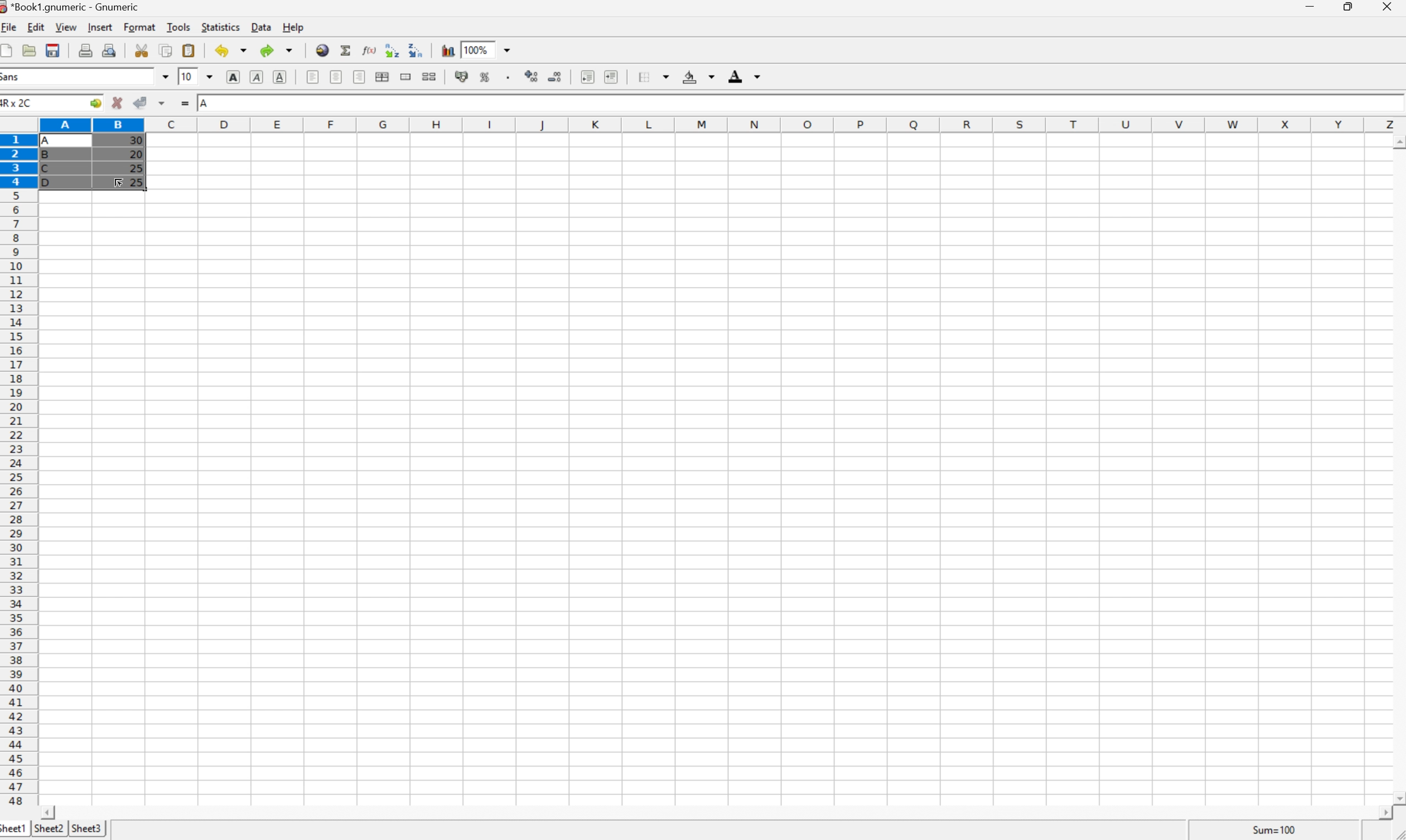 Image resolution: width=1406 pixels, height=840 pixels. Describe the element at coordinates (188, 50) in the screenshot. I see `Paste the clipboard` at that location.